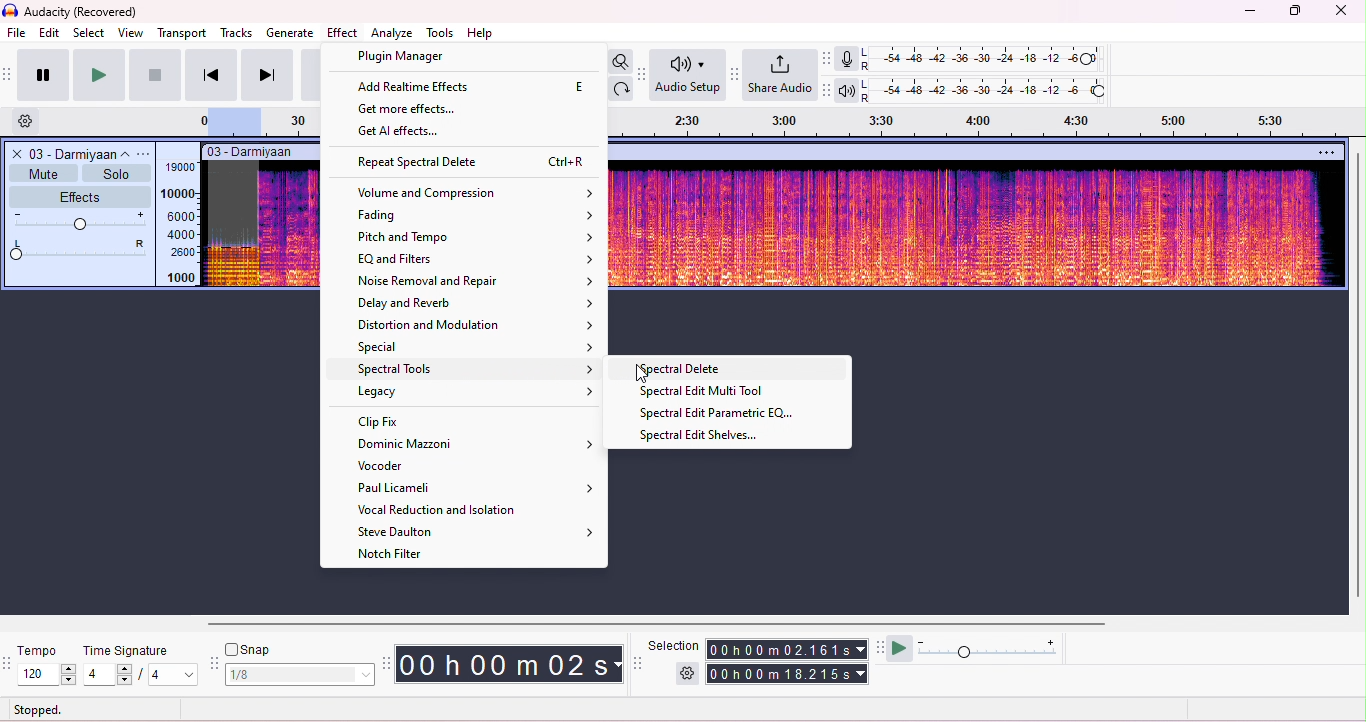  What do you see at coordinates (435, 467) in the screenshot?
I see `vocoder` at bounding box center [435, 467].